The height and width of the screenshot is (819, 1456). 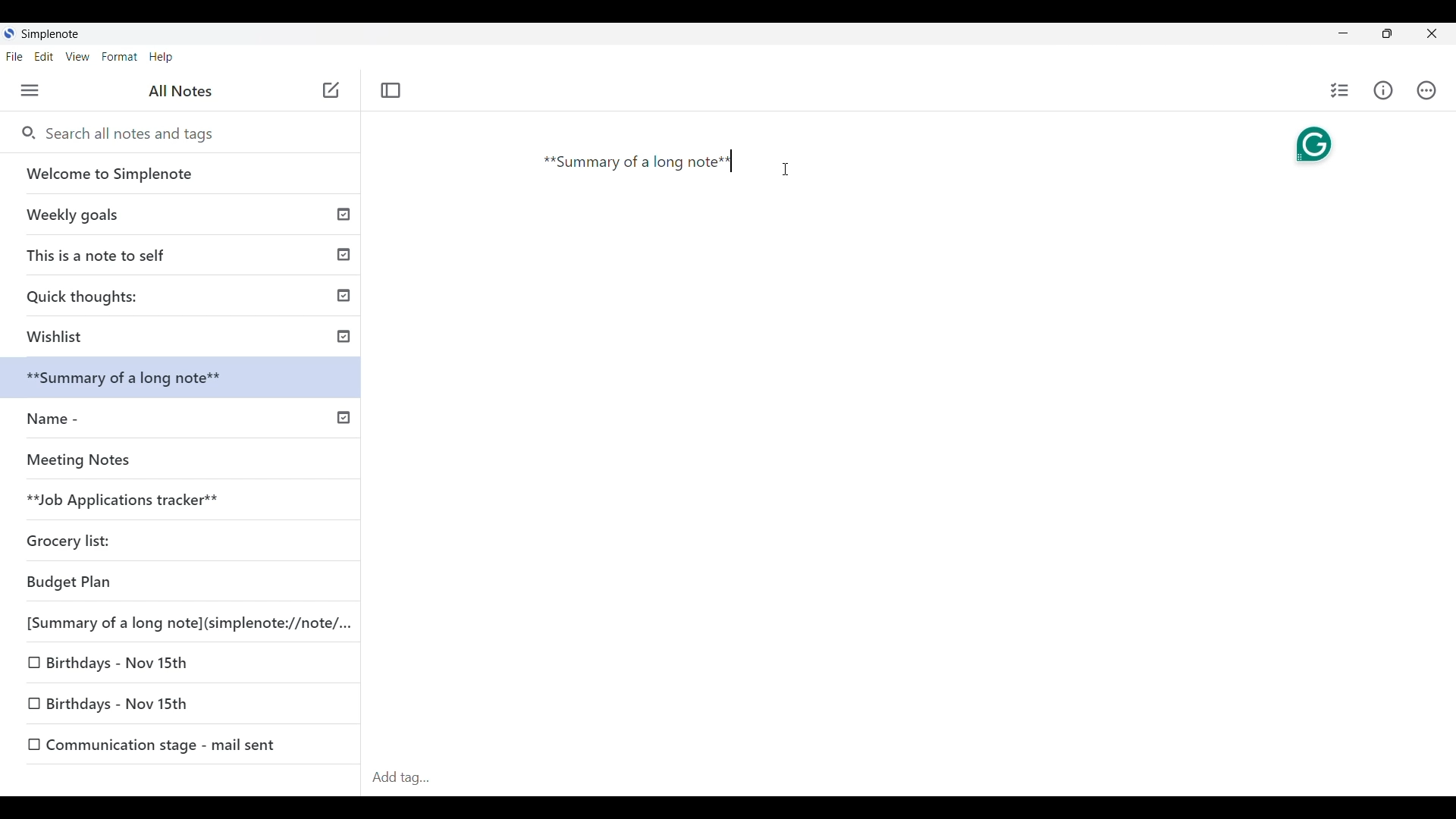 I want to click on Toggle focus mode, so click(x=391, y=90).